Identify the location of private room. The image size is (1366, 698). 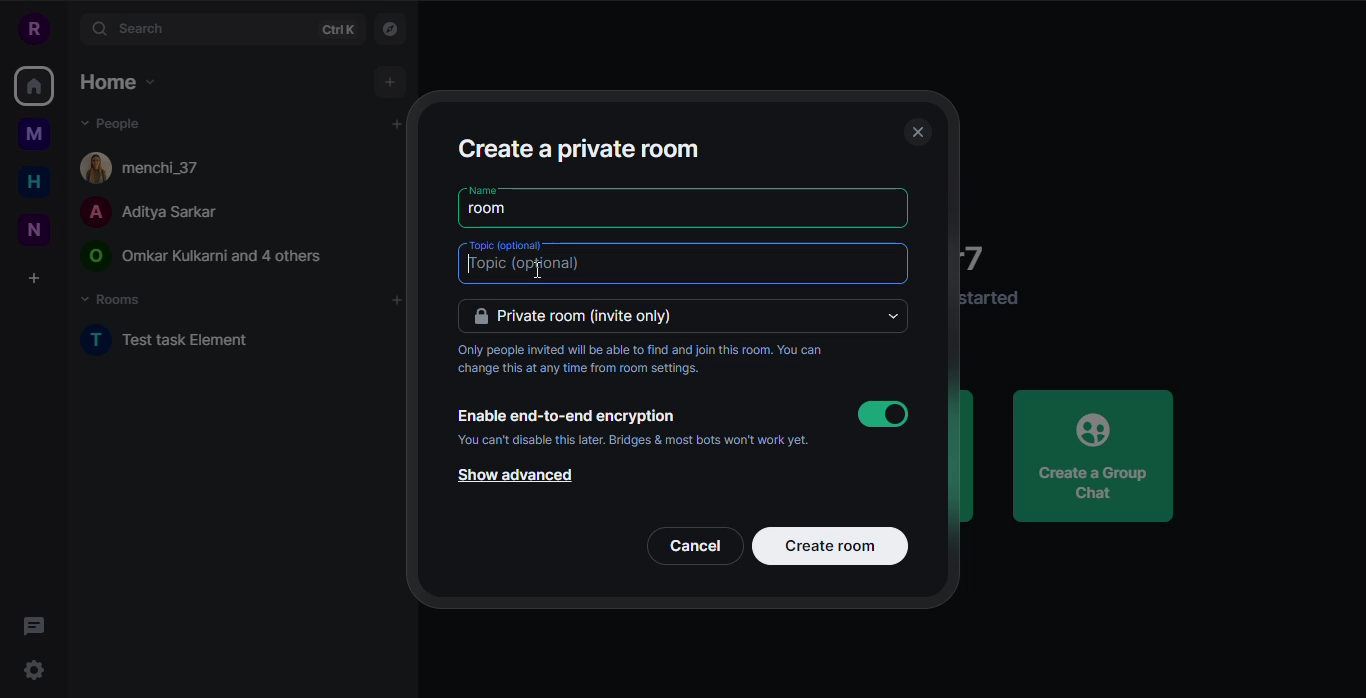
(584, 317).